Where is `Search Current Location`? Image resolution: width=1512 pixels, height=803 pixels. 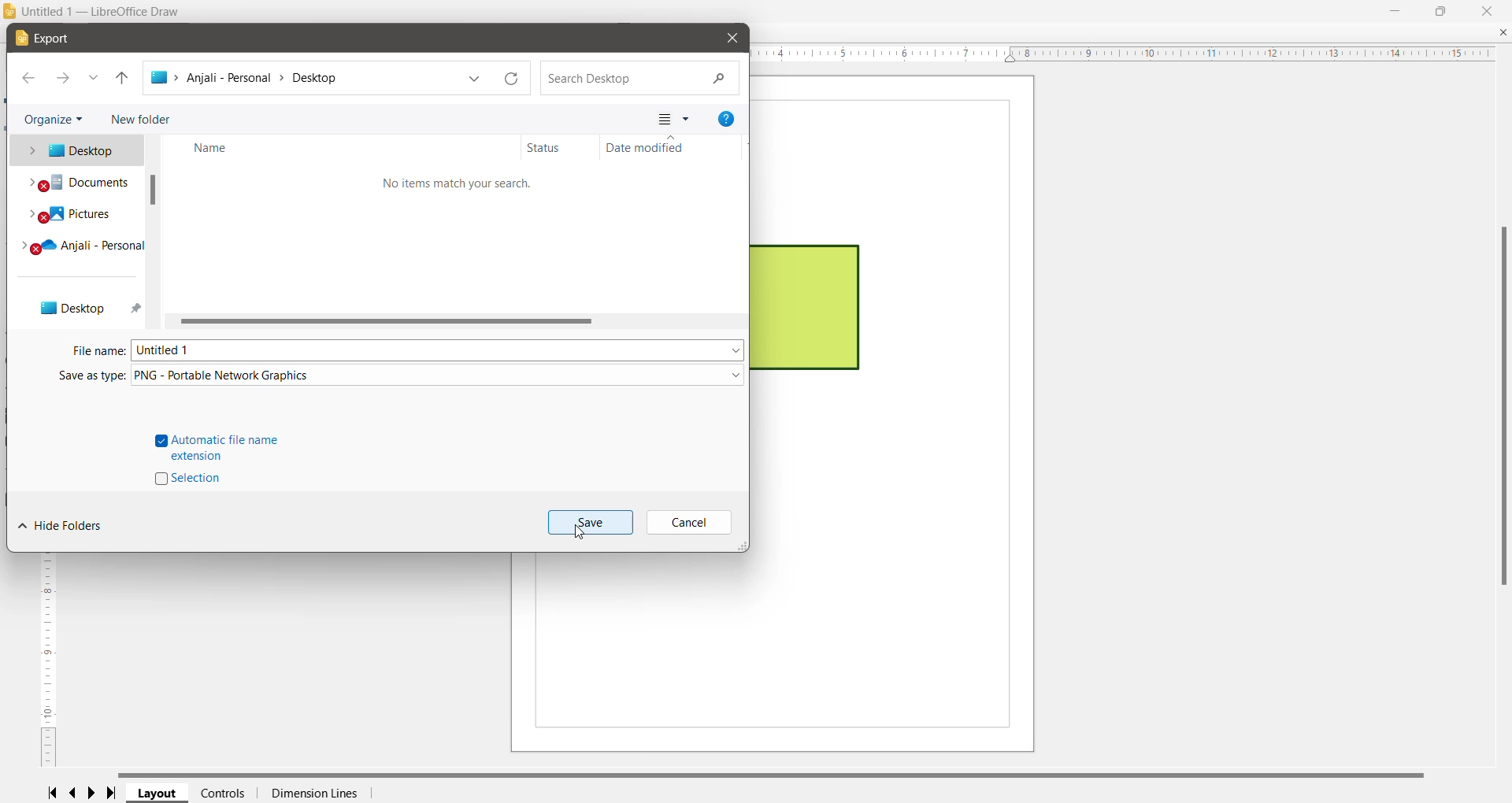
Search Current Location is located at coordinates (639, 80).